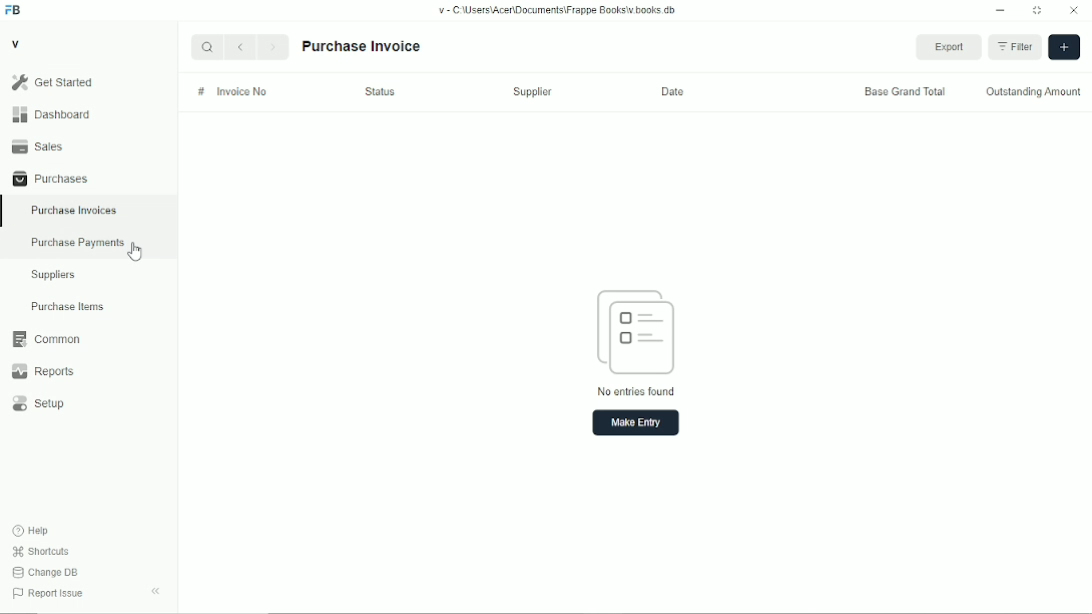  I want to click on Report Issue, so click(49, 593).